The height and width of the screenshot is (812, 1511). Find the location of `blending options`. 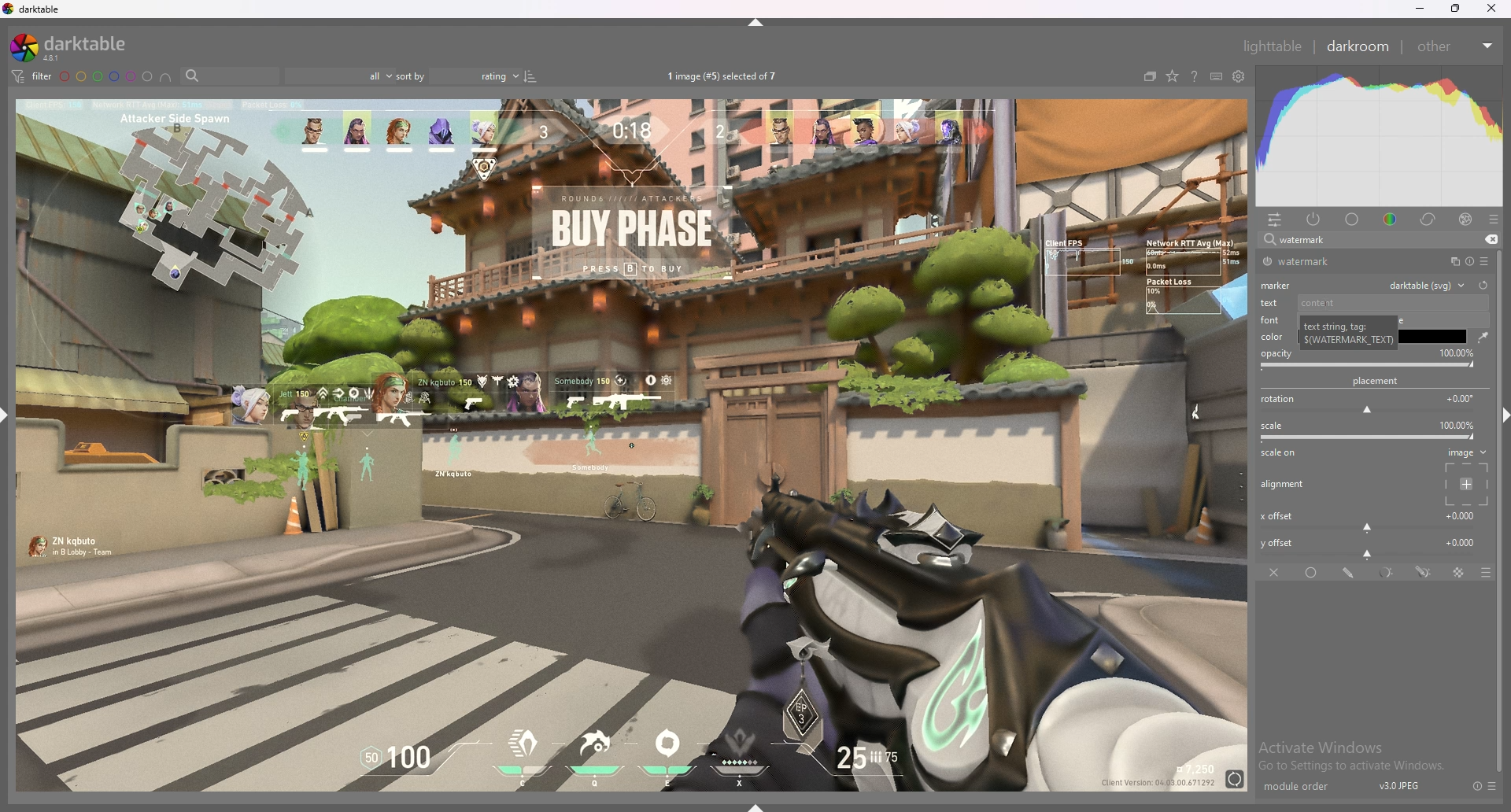

blending options is located at coordinates (1478, 573).